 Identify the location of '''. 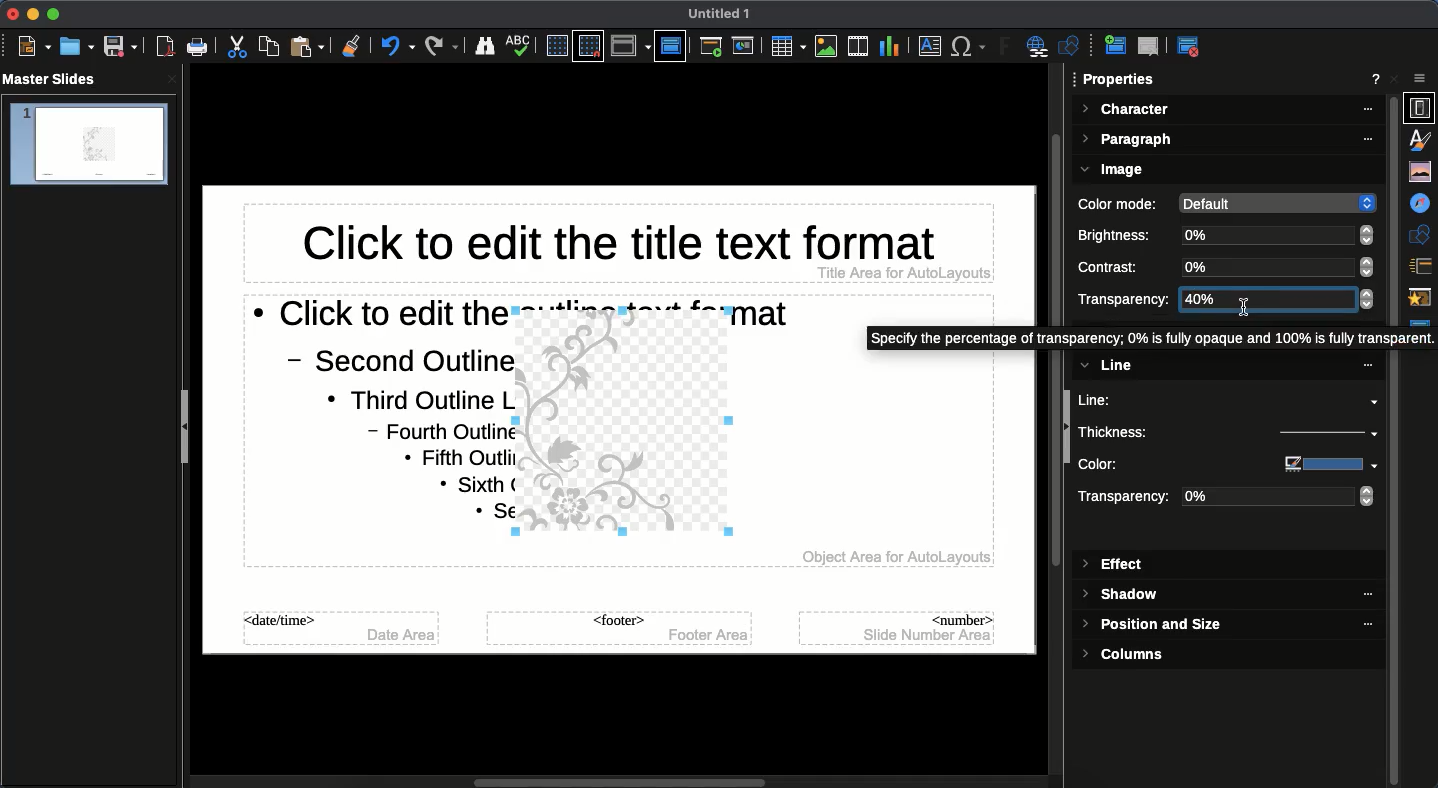
(1356, 625).